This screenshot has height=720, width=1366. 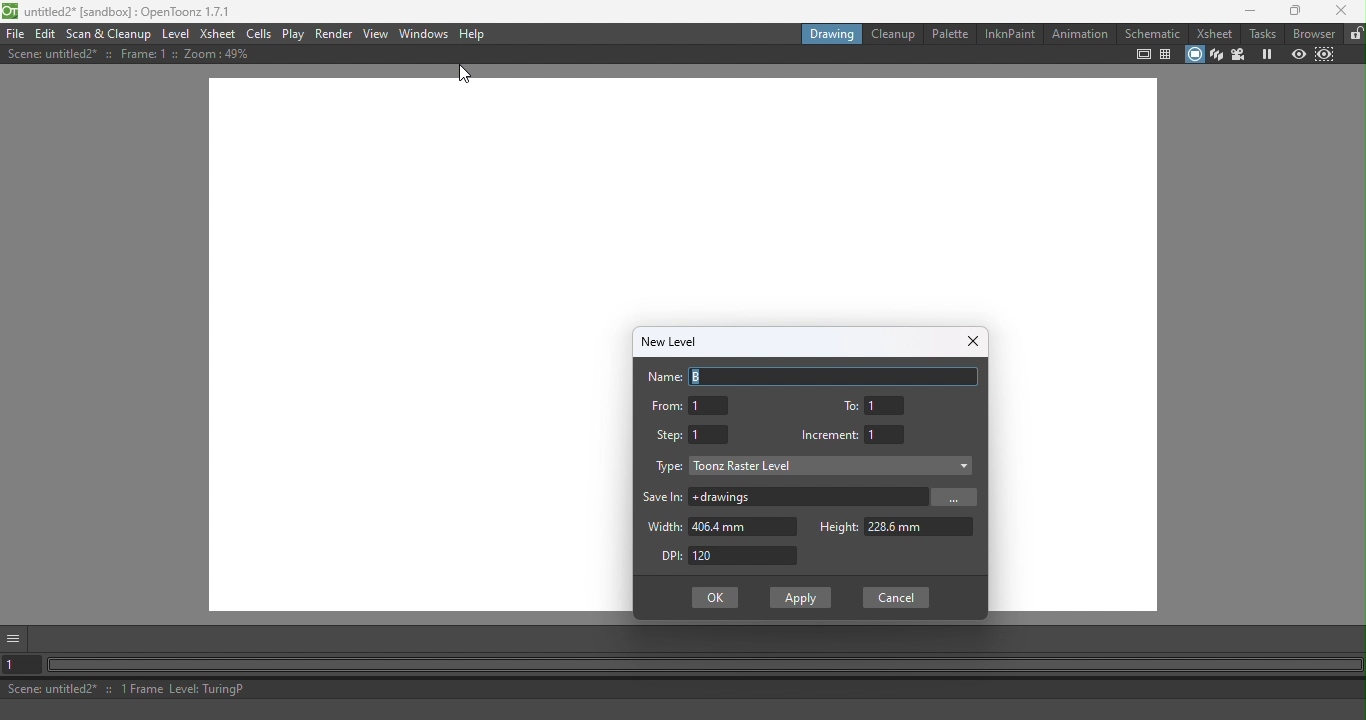 What do you see at coordinates (830, 434) in the screenshot?
I see `Increment` at bounding box center [830, 434].